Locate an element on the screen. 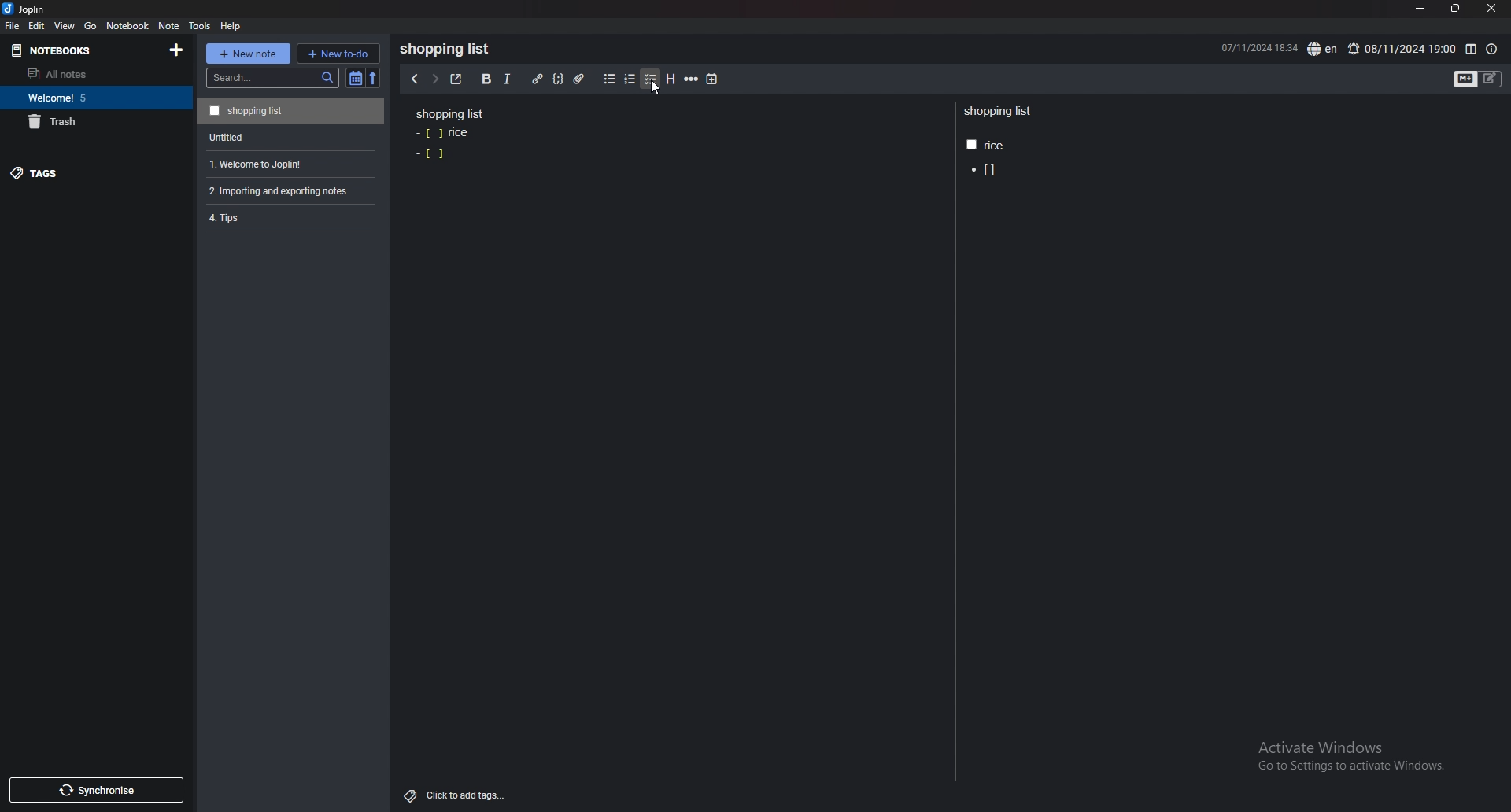 This screenshot has height=812, width=1511. close is located at coordinates (1491, 9).